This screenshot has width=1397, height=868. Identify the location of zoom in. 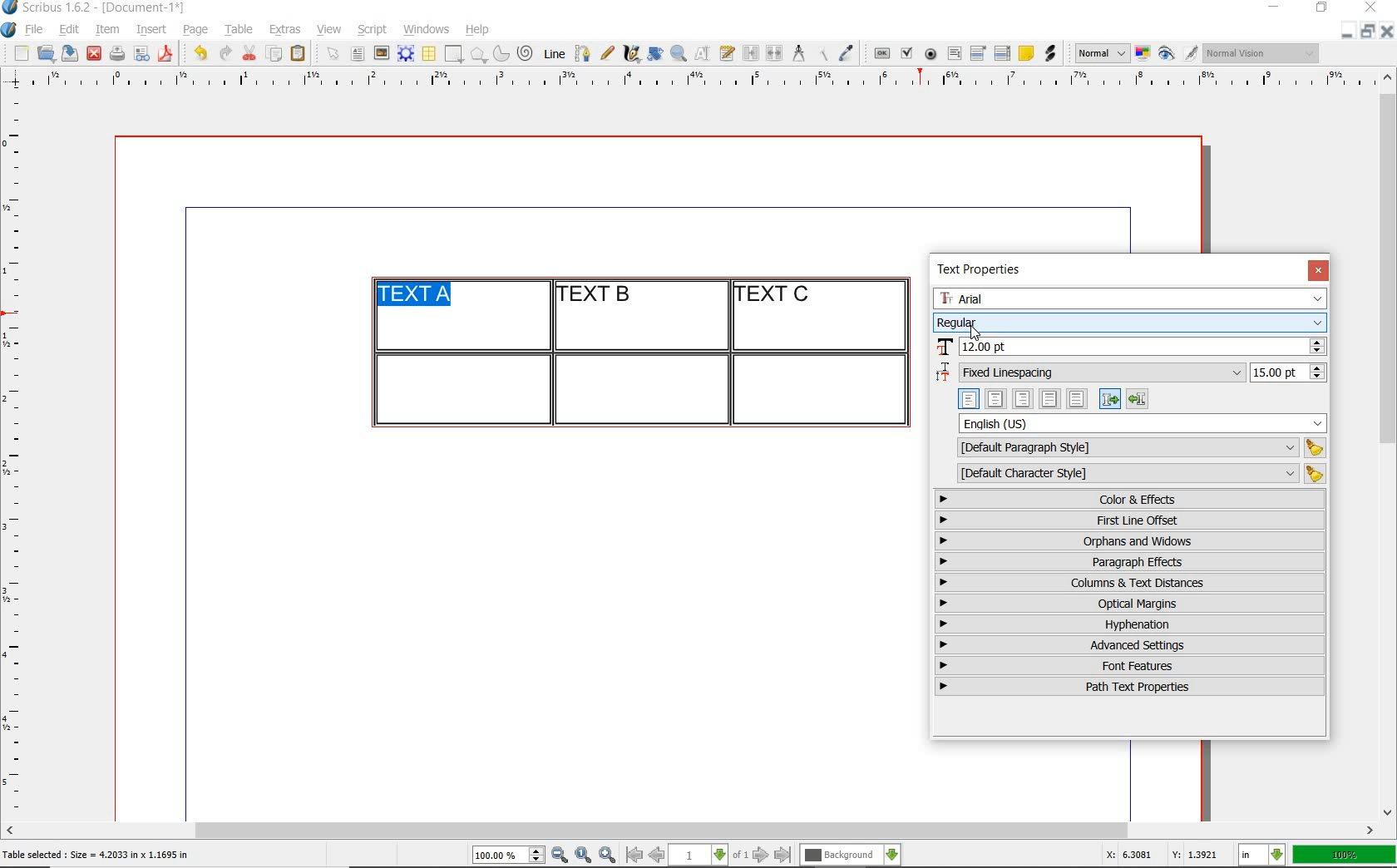
(608, 856).